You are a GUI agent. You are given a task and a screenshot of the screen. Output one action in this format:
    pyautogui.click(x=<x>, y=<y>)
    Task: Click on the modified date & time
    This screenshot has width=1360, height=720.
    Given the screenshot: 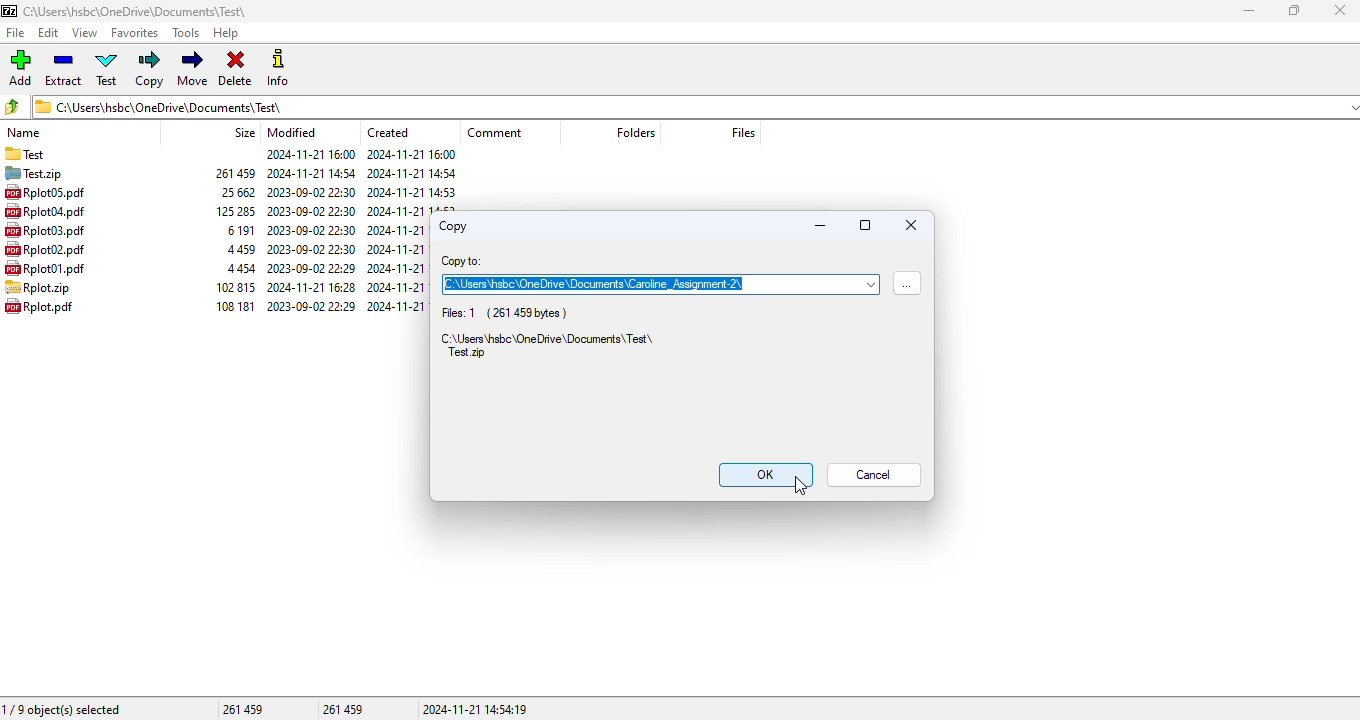 What is the action you would take?
    pyautogui.click(x=311, y=192)
    